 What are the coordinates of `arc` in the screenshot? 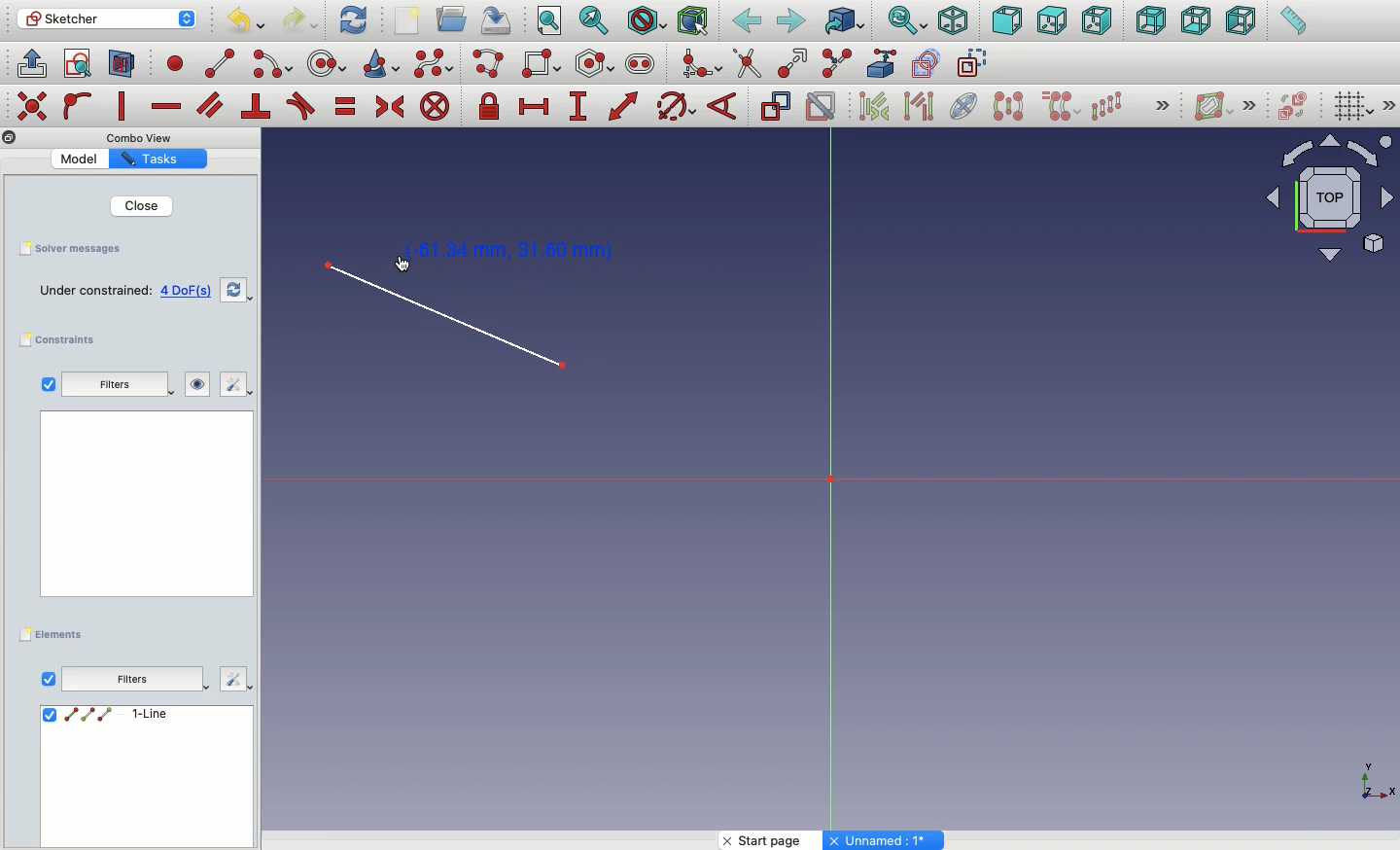 It's located at (273, 64).